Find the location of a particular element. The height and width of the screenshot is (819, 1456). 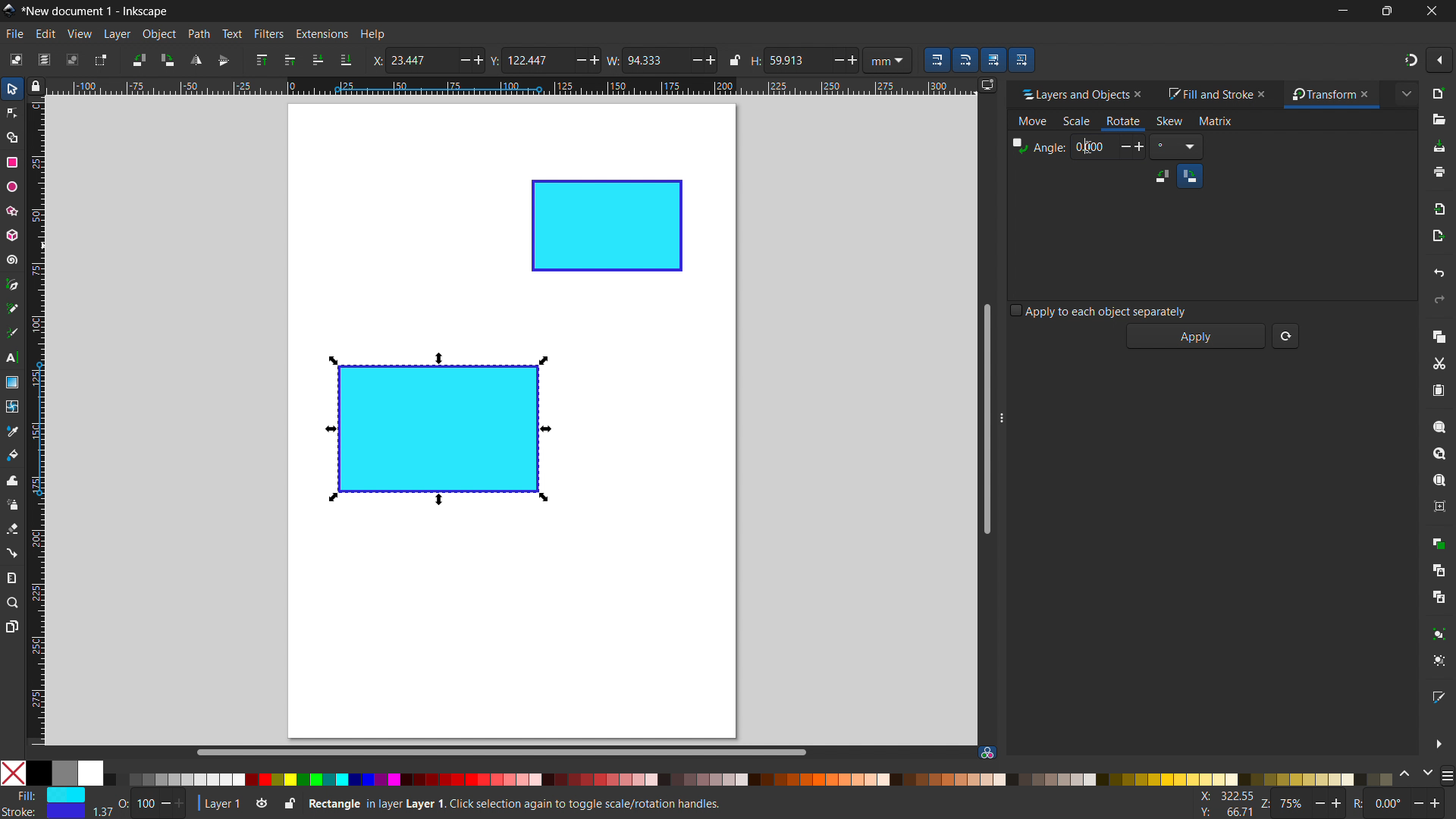

counterclockwise is located at coordinates (1162, 176).